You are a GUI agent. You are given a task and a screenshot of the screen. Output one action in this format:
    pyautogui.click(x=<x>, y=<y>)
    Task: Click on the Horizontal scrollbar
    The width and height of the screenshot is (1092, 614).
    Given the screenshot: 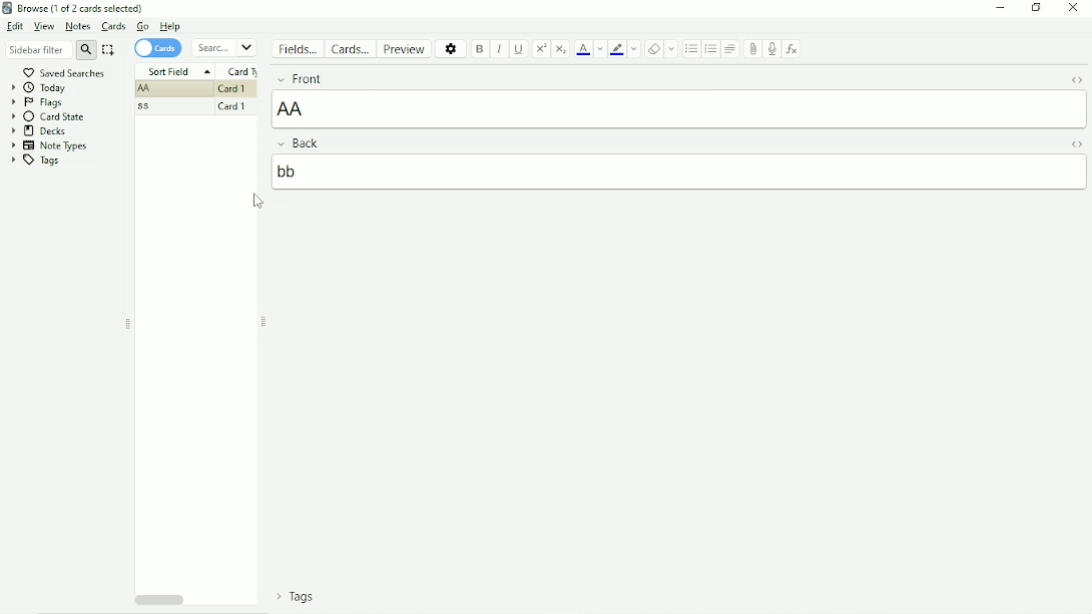 What is the action you would take?
    pyautogui.click(x=160, y=600)
    